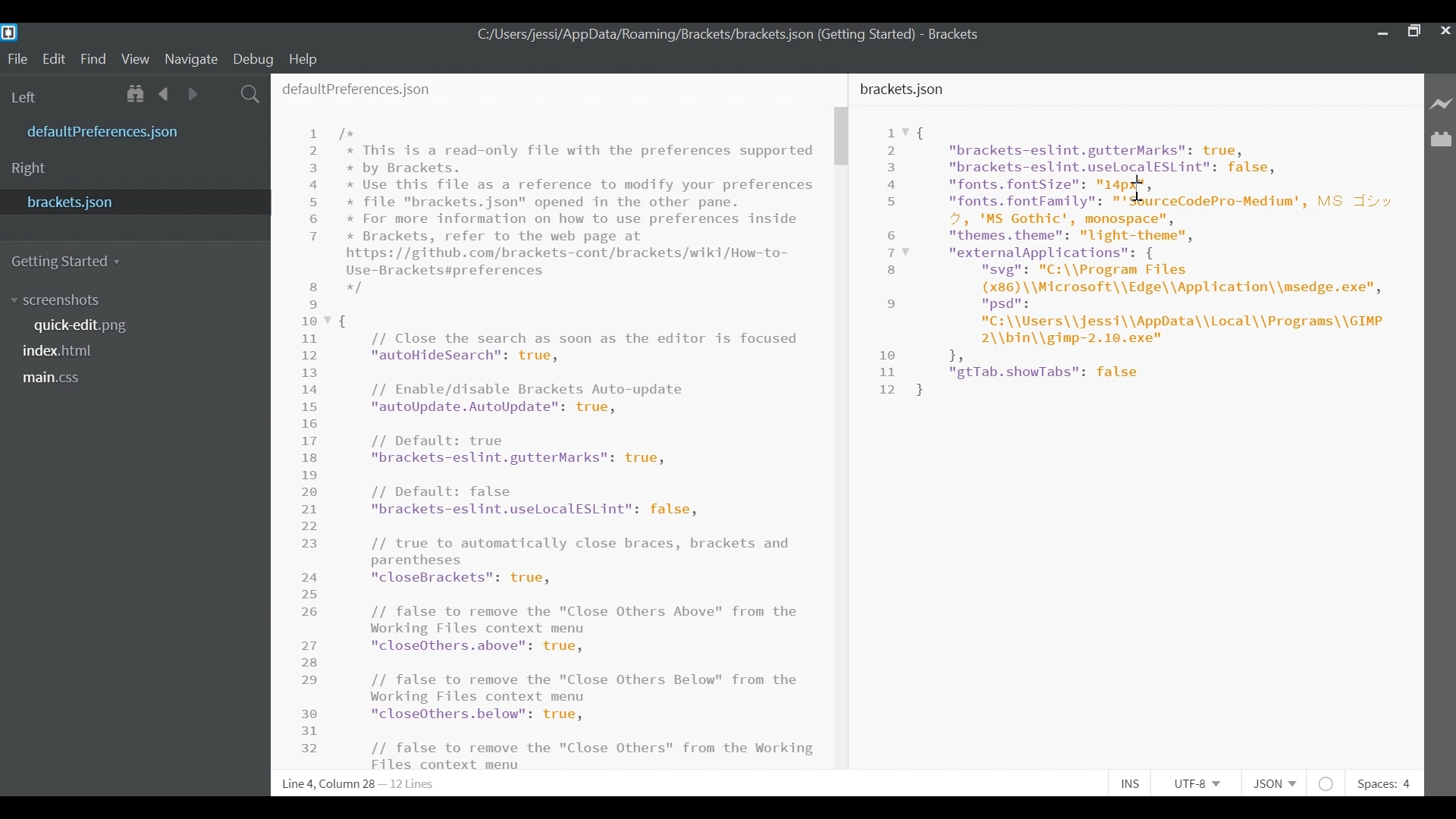  What do you see at coordinates (1271, 781) in the screenshot?
I see `JSON` at bounding box center [1271, 781].